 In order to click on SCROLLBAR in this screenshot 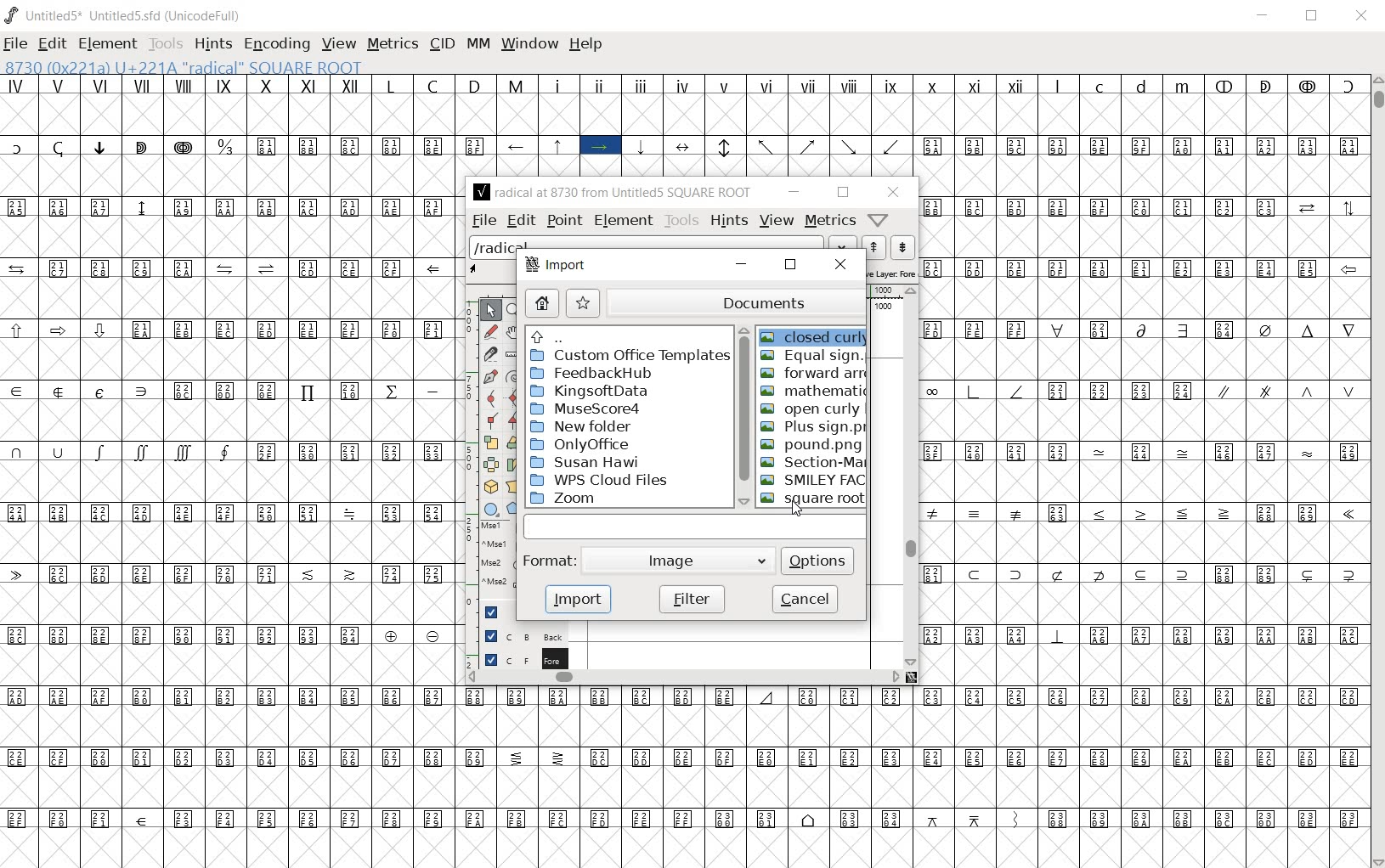, I will do `click(1377, 471)`.